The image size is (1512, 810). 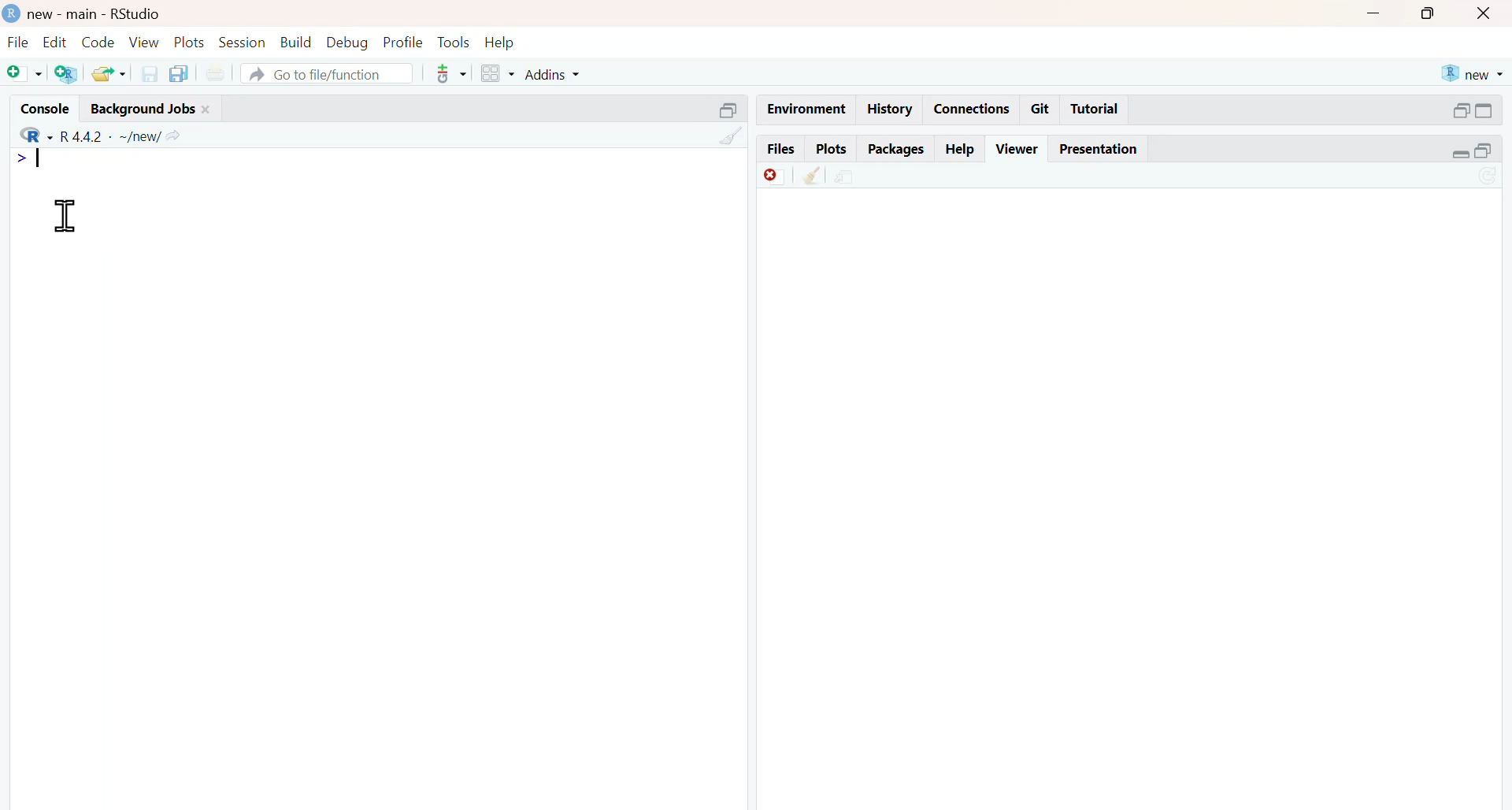 I want to click on save, so click(x=150, y=74).